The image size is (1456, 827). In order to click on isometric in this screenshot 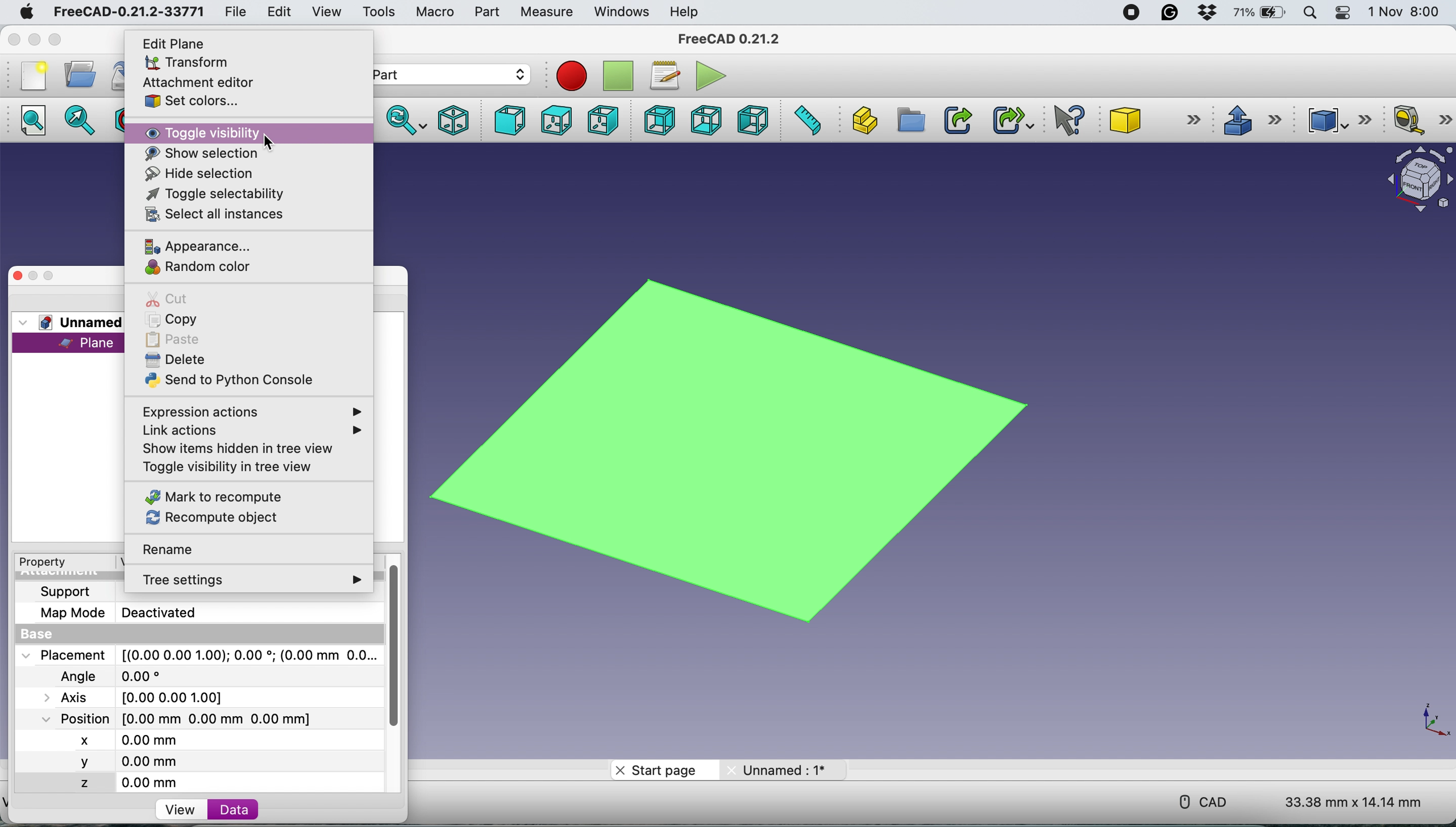, I will do `click(452, 122)`.